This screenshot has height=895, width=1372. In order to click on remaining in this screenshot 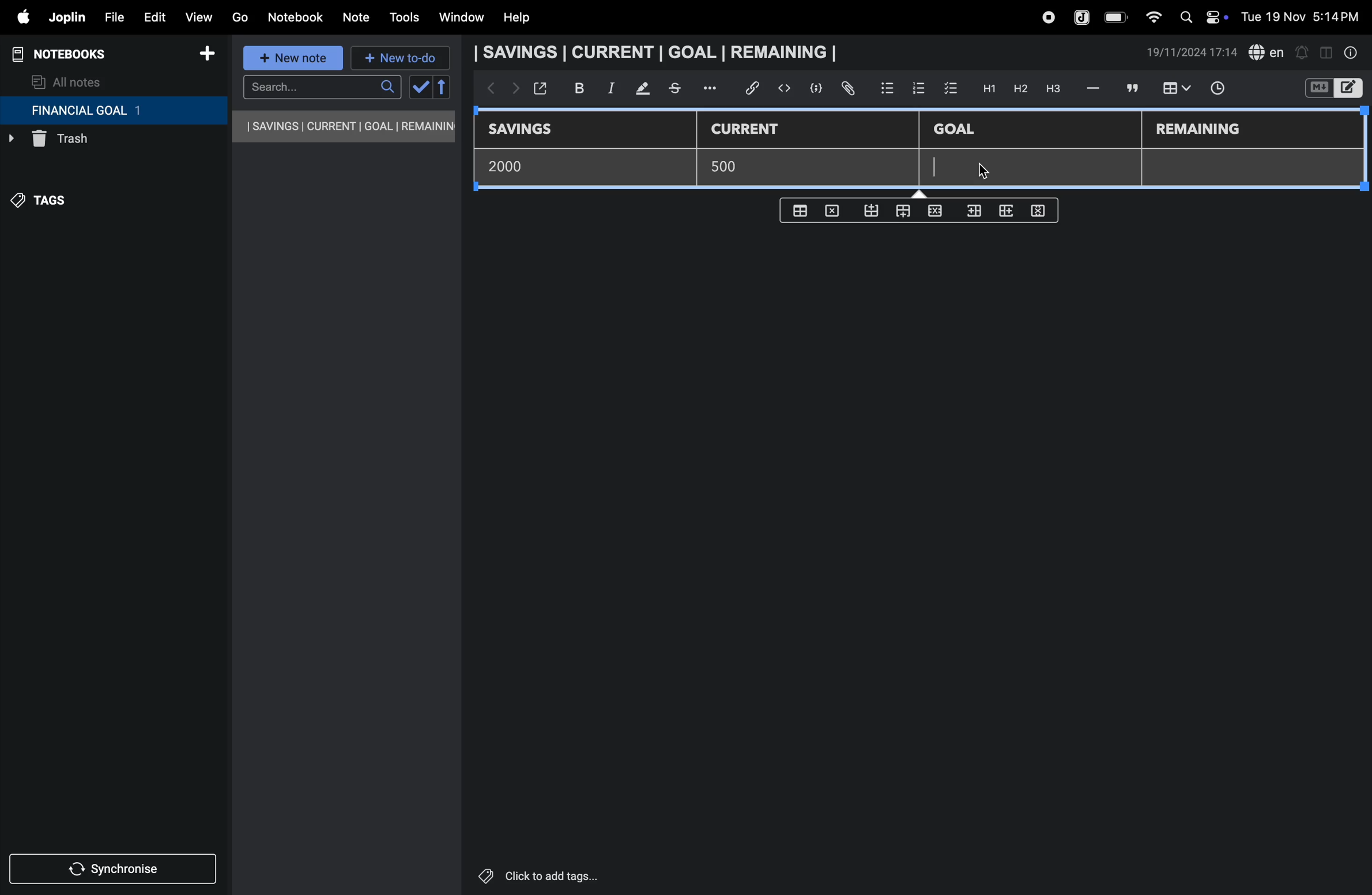, I will do `click(1200, 130)`.